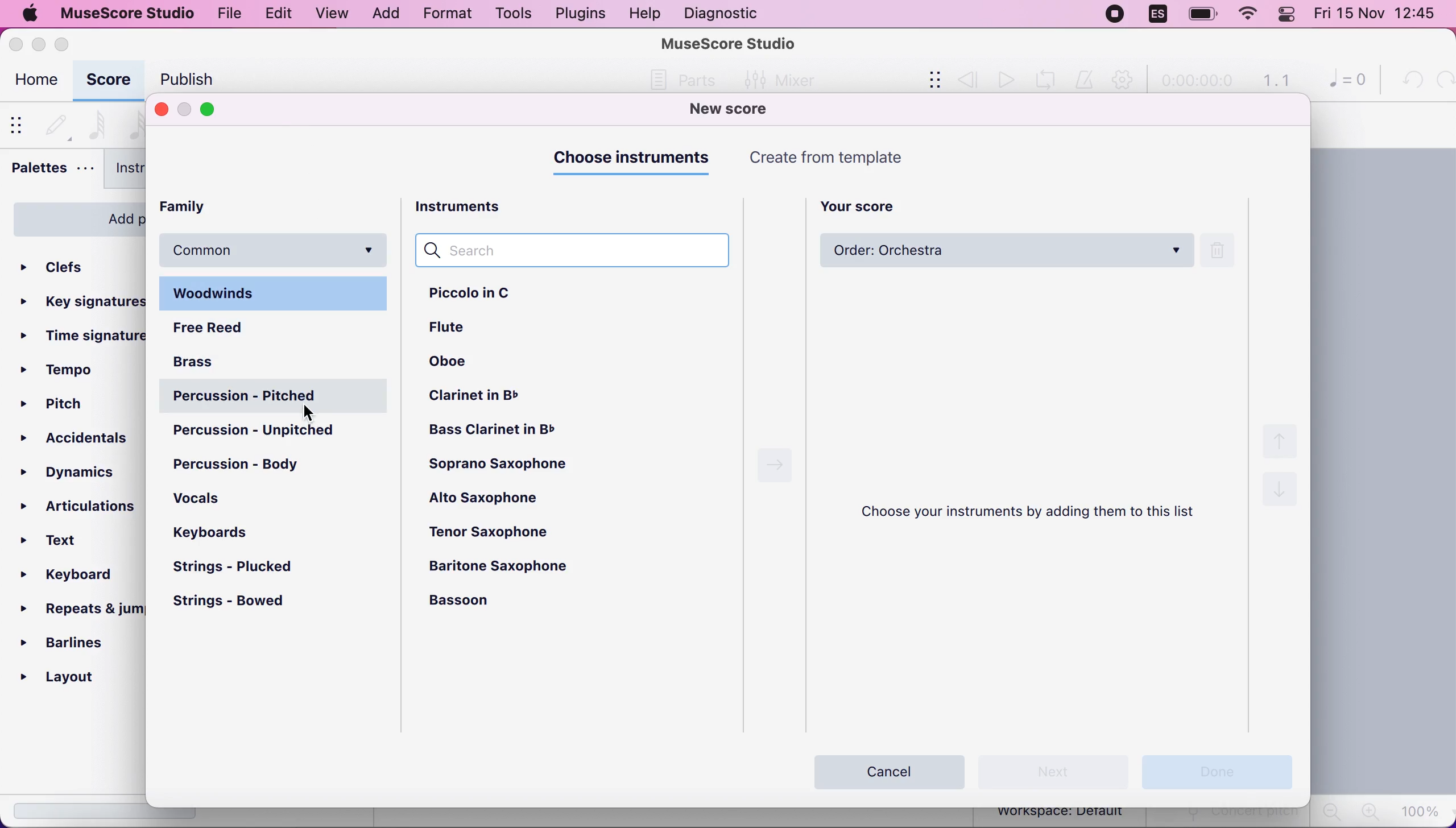 The width and height of the screenshot is (1456, 828). I want to click on keyboard, so click(76, 577).